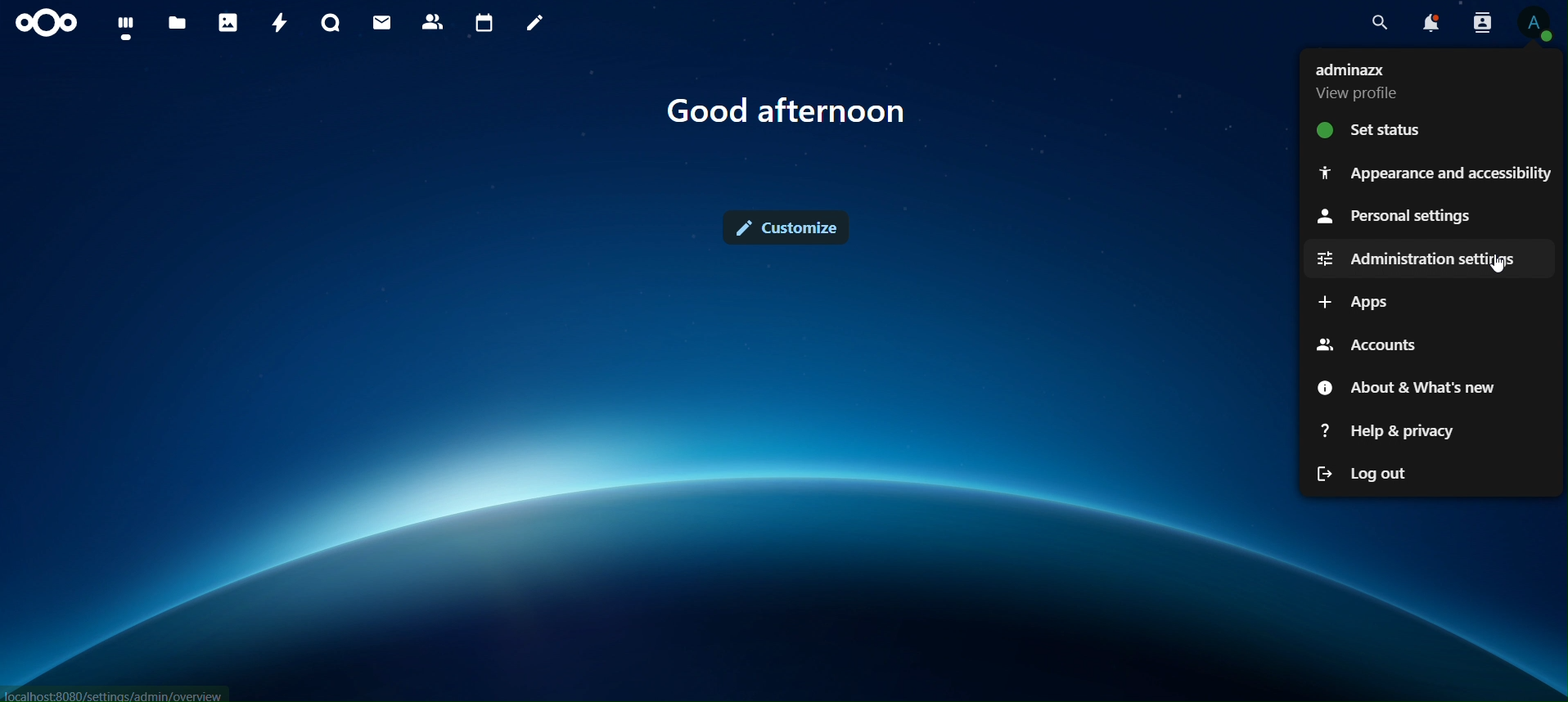  I want to click on personal settings, so click(1394, 216).